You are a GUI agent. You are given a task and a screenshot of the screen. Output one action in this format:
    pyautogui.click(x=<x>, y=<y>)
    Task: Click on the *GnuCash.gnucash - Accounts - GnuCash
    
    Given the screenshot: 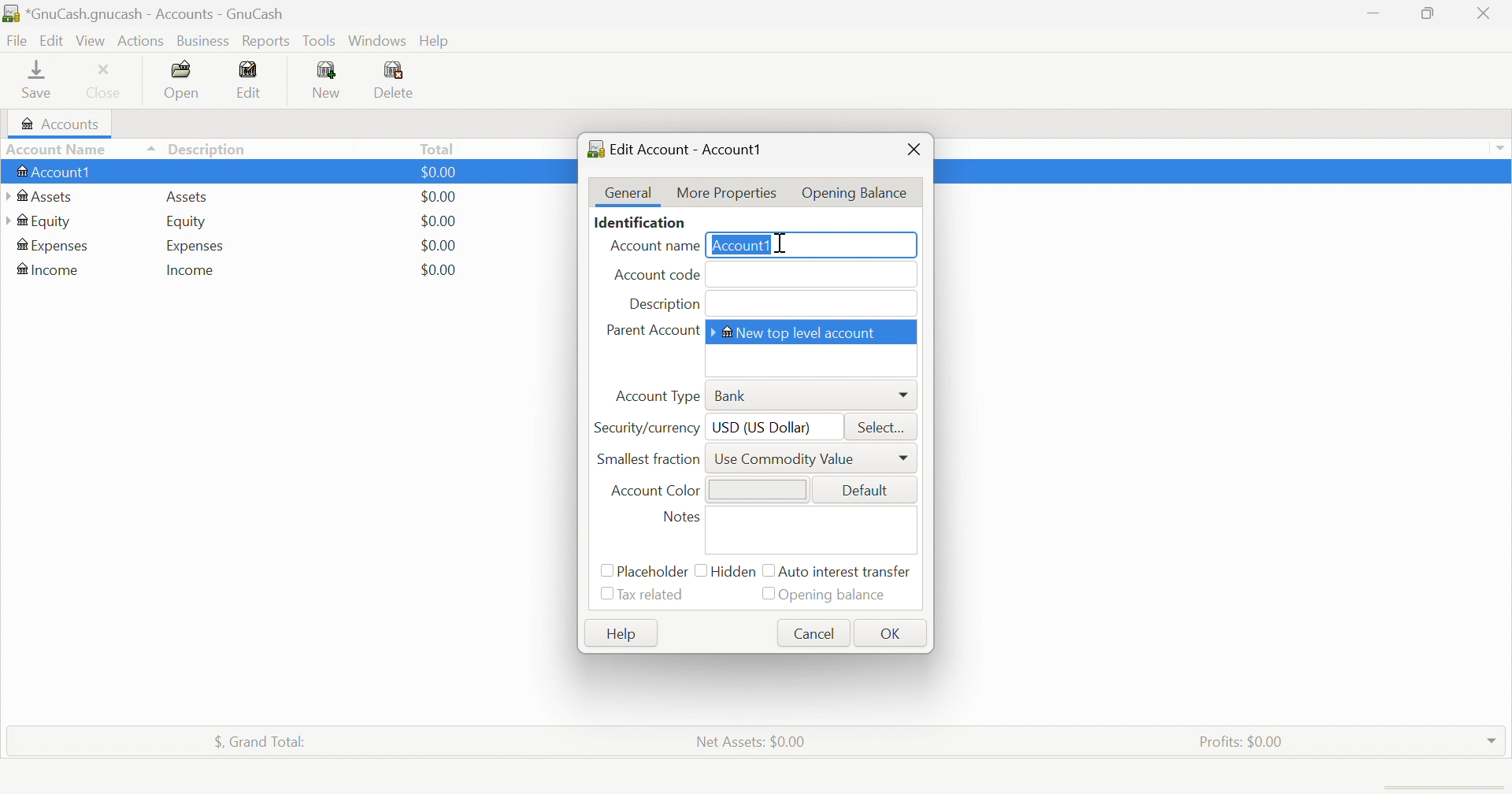 What is the action you would take?
    pyautogui.click(x=149, y=14)
    